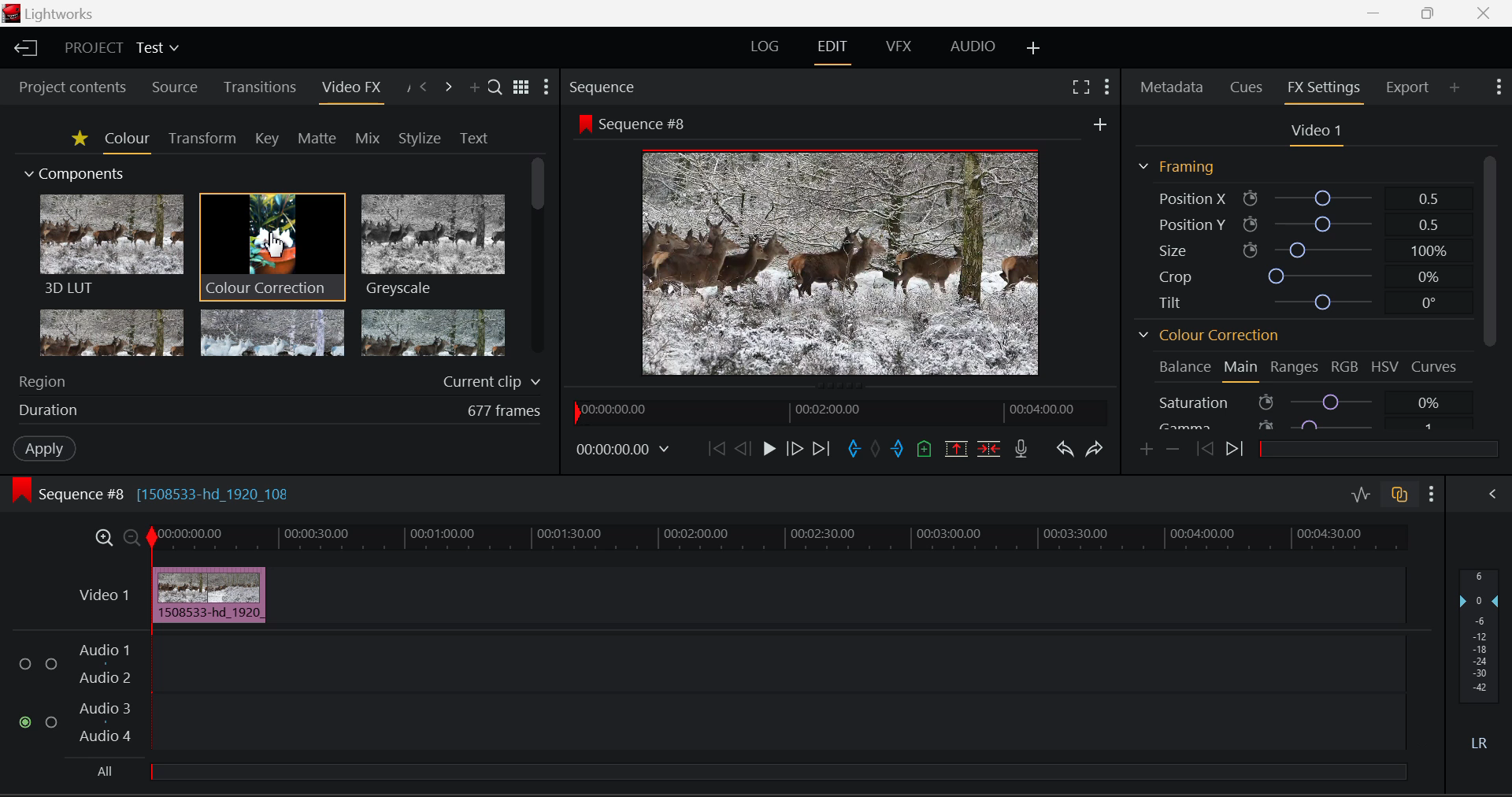 This screenshot has height=797, width=1512. What do you see at coordinates (1433, 365) in the screenshot?
I see `Curves` at bounding box center [1433, 365].